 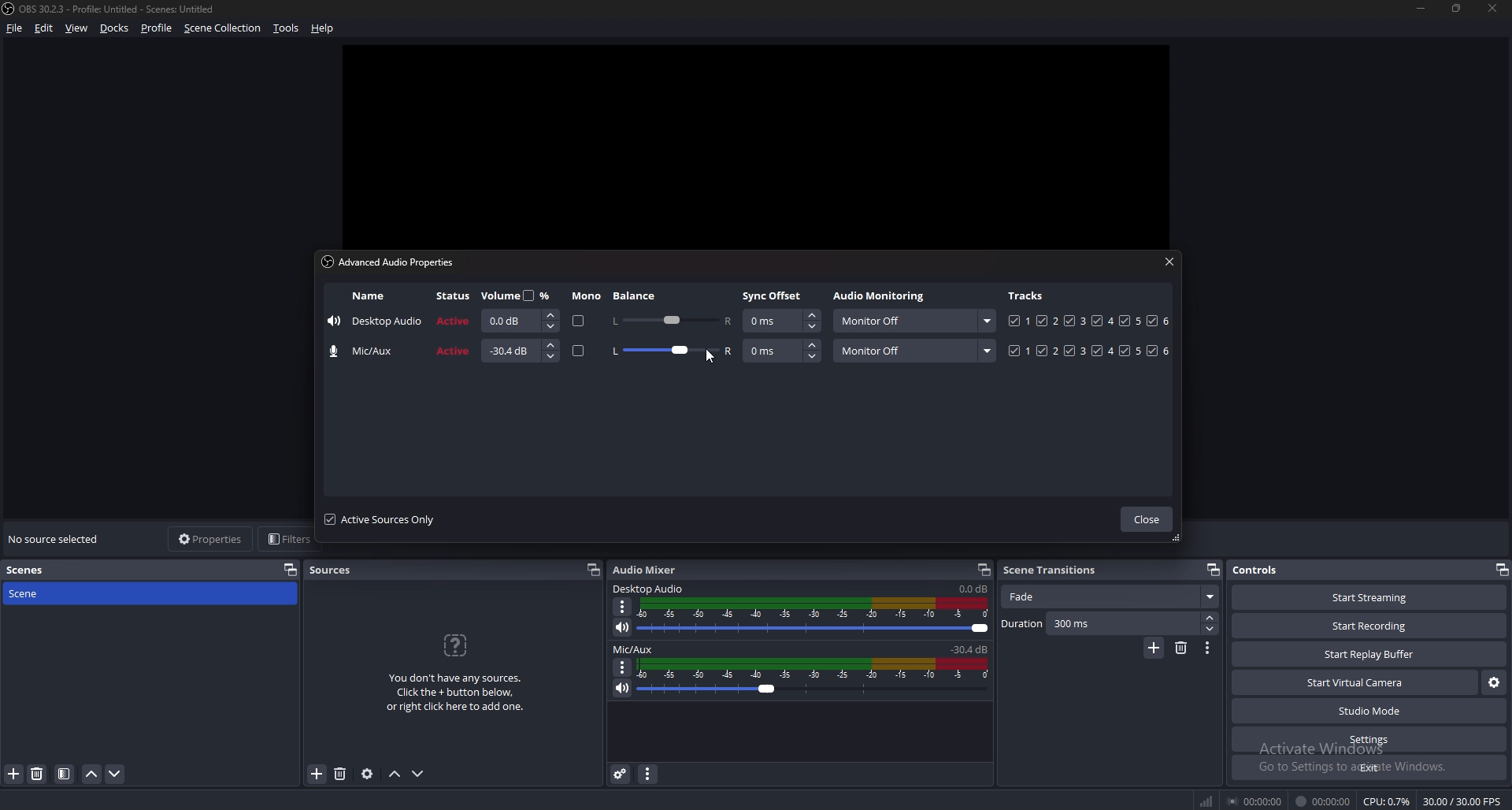 What do you see at coordinates (368, 351) in the screenshot?
I see `name` at bounding box center [368, 351].